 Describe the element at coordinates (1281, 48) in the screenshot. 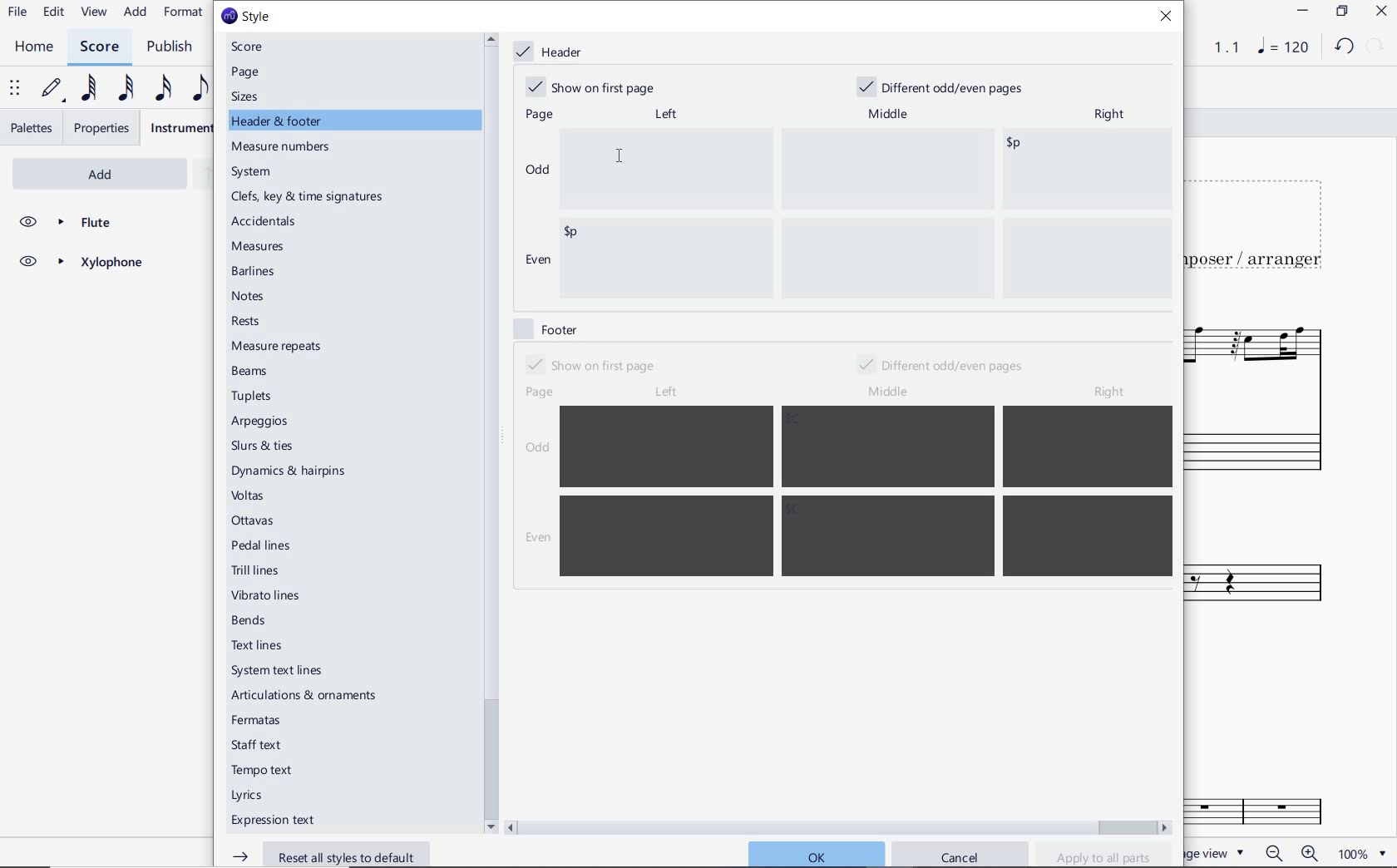

I see `NOTE` at that location.